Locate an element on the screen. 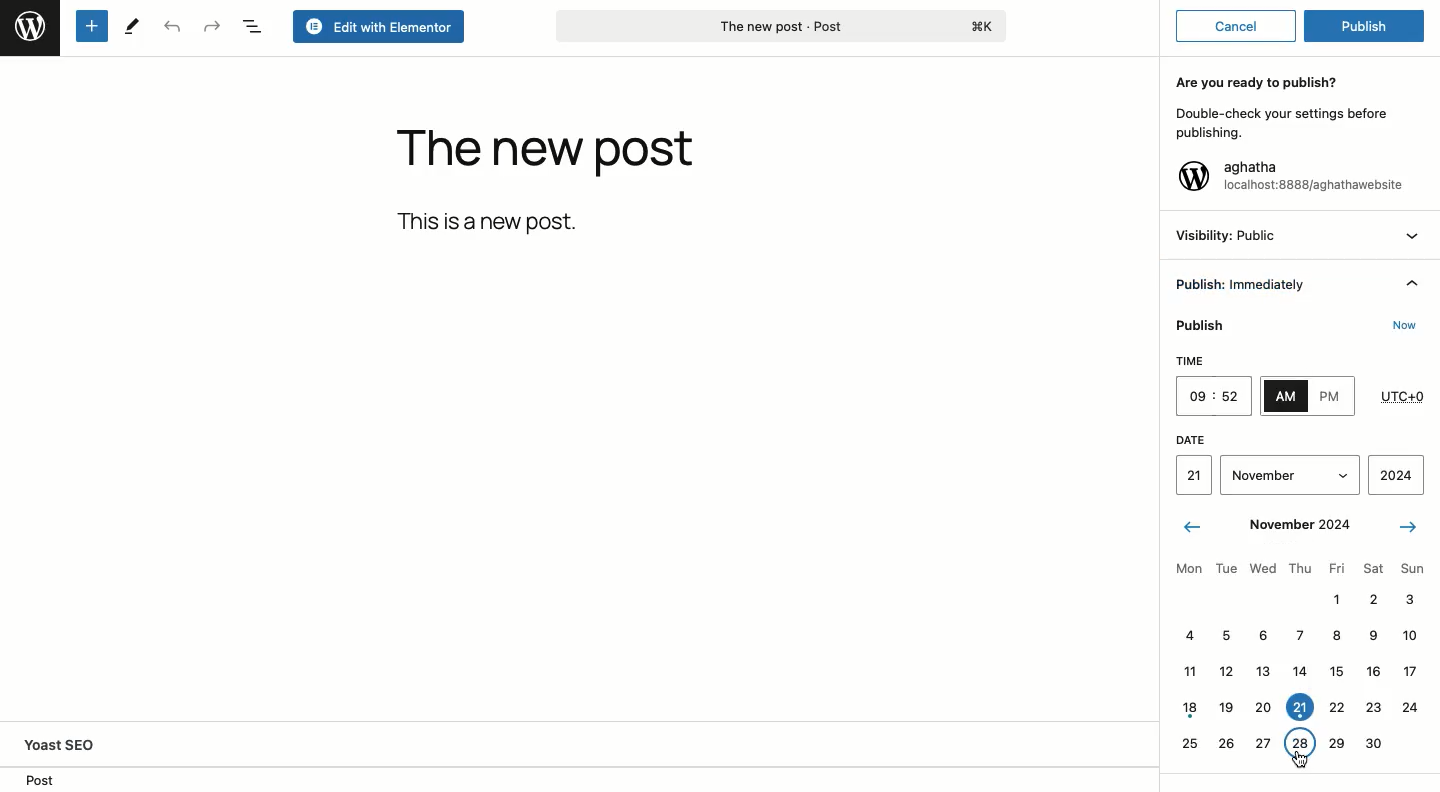 The width and height of the screenshot is (1440, 792). Publish is located at coordinates (1202, 328).